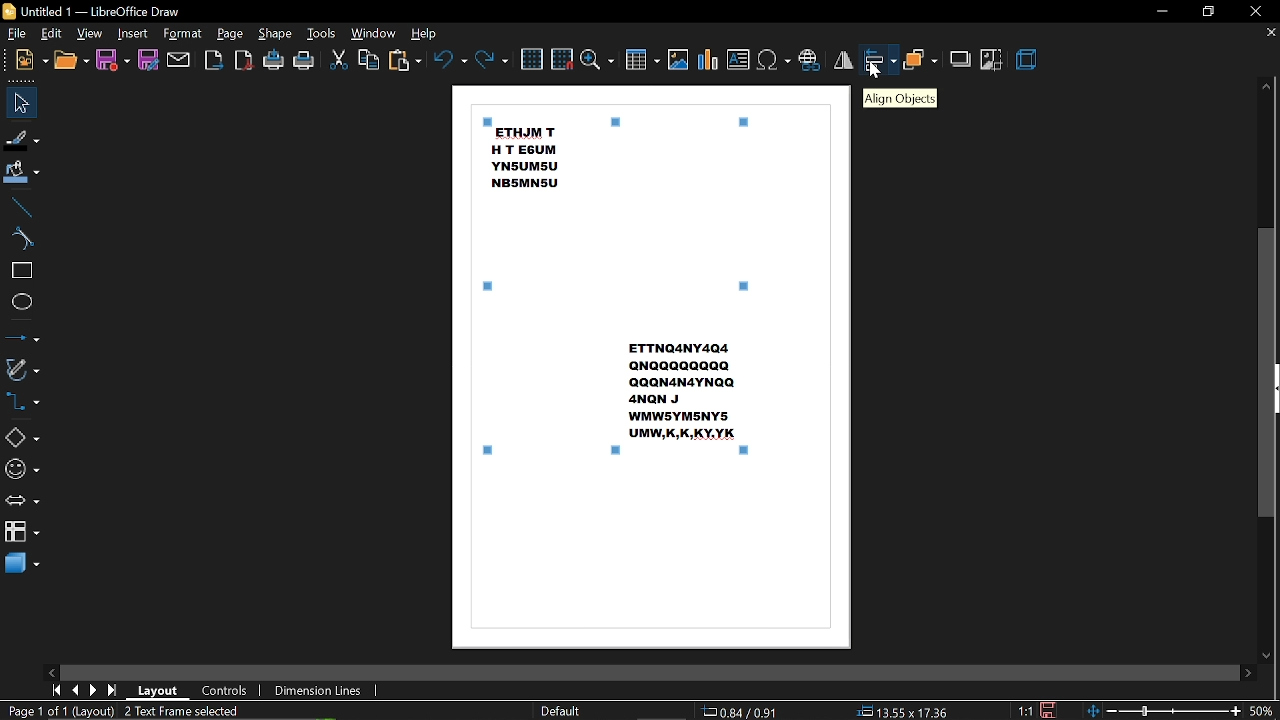 This screenshot has height=720, width=1280. Describe the element at coordinates (26, 404) in the screenshot. I see `connector` at that location.